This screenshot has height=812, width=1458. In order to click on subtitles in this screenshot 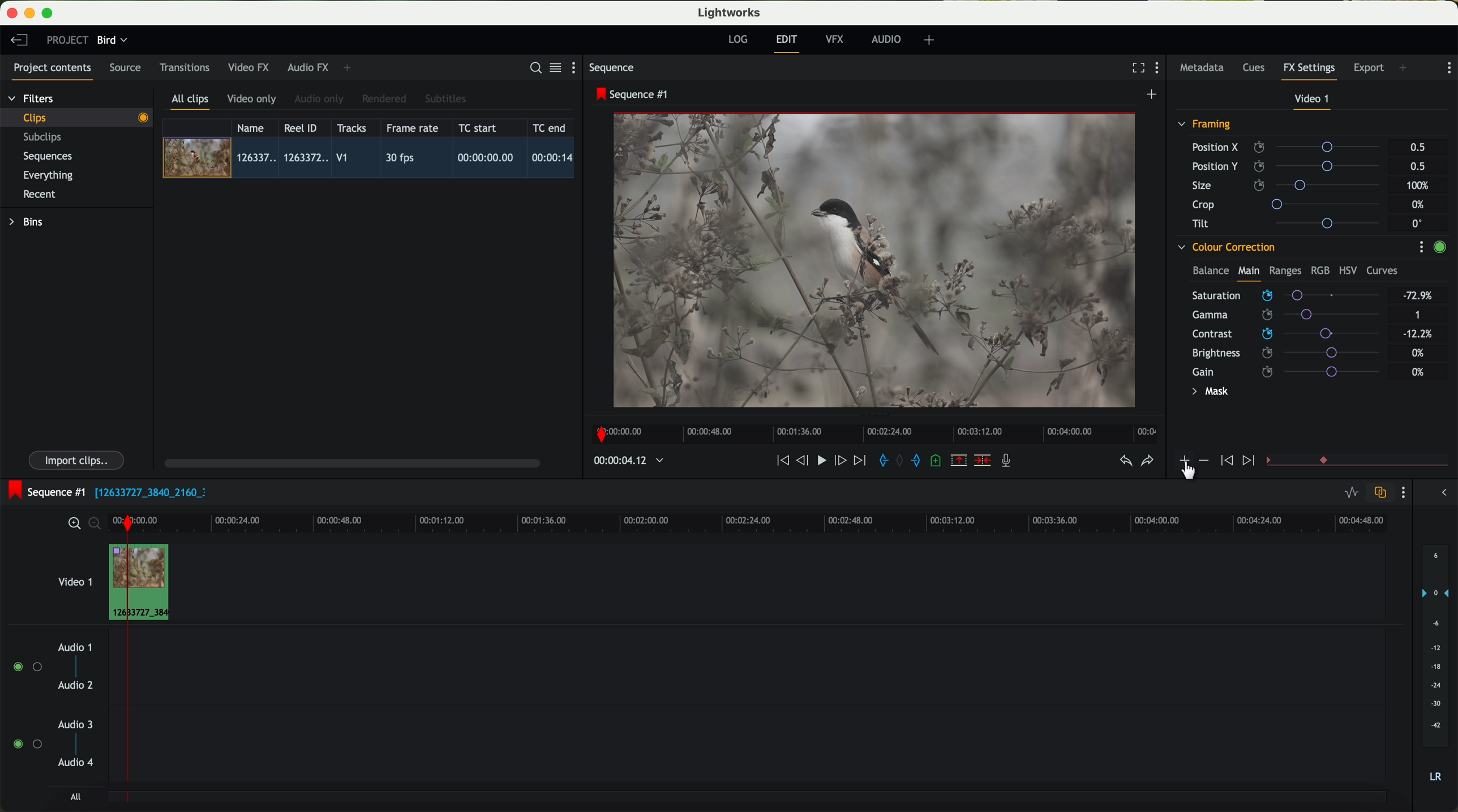, I will do `click(444, 99)`.